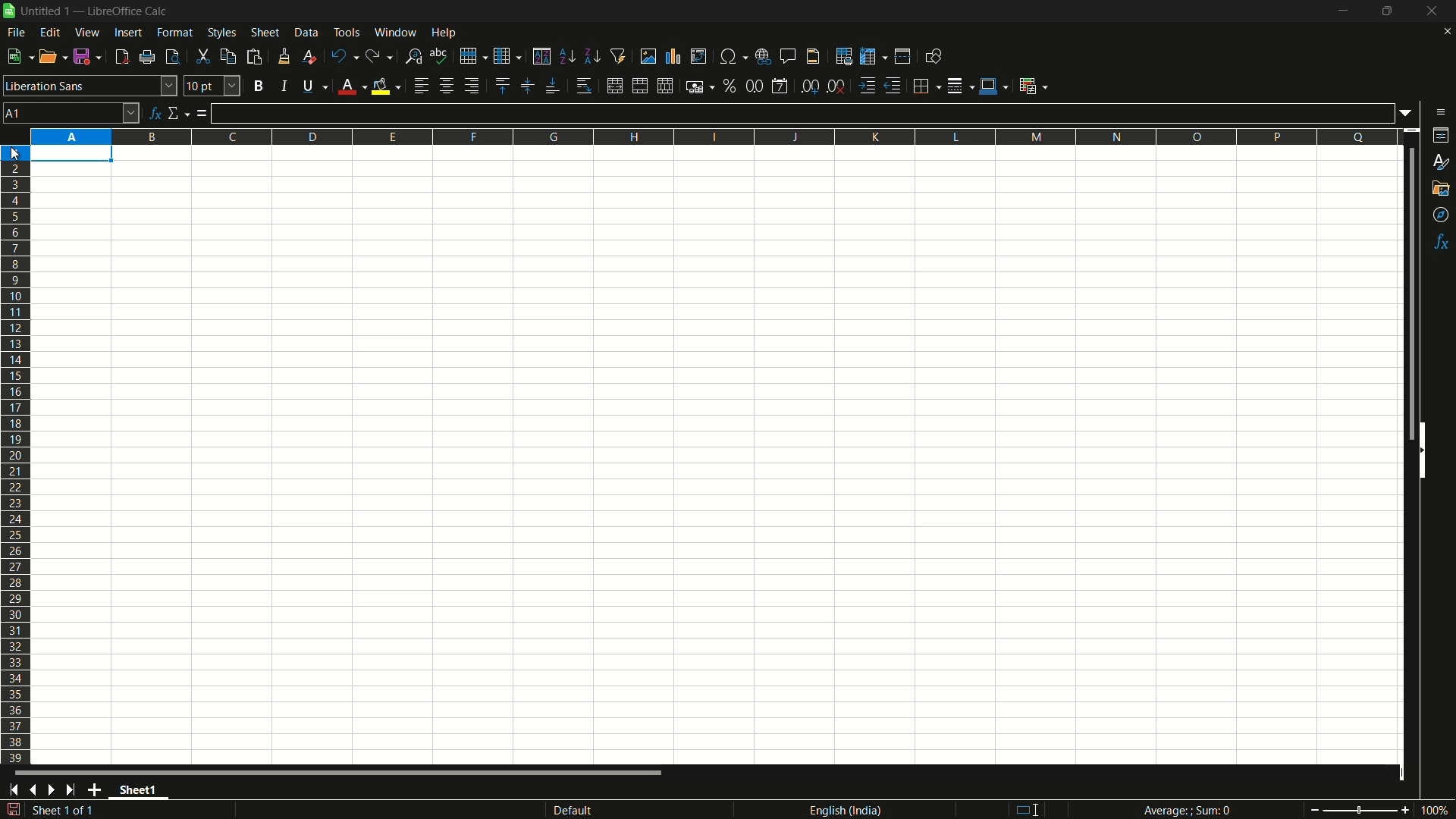  What do you see at coordinates (143, 792) in the screenshot?
I see `sheet name` at bounding box center [143, 792].